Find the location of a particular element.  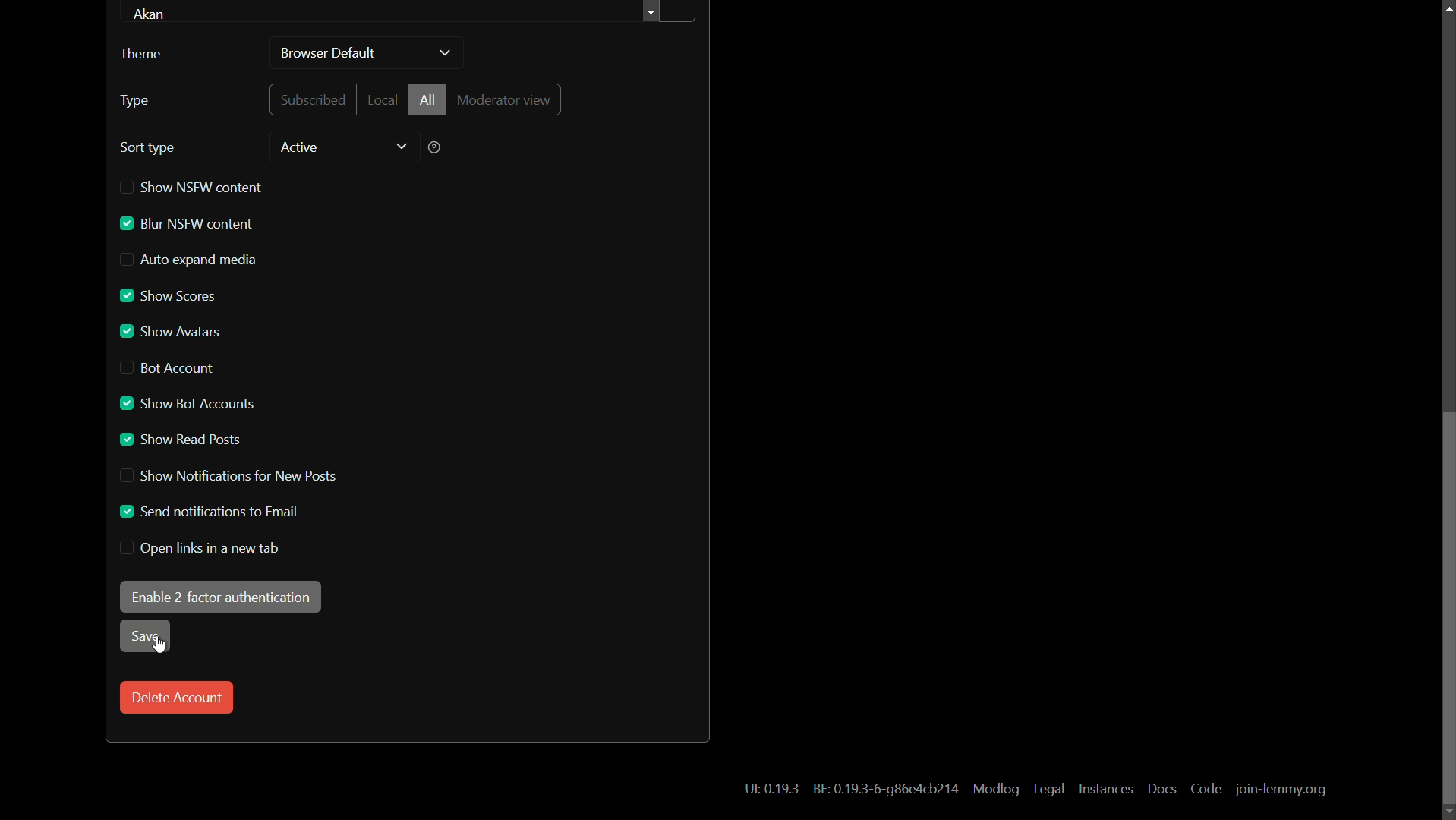

docs is located at coordinates (1162, 789).